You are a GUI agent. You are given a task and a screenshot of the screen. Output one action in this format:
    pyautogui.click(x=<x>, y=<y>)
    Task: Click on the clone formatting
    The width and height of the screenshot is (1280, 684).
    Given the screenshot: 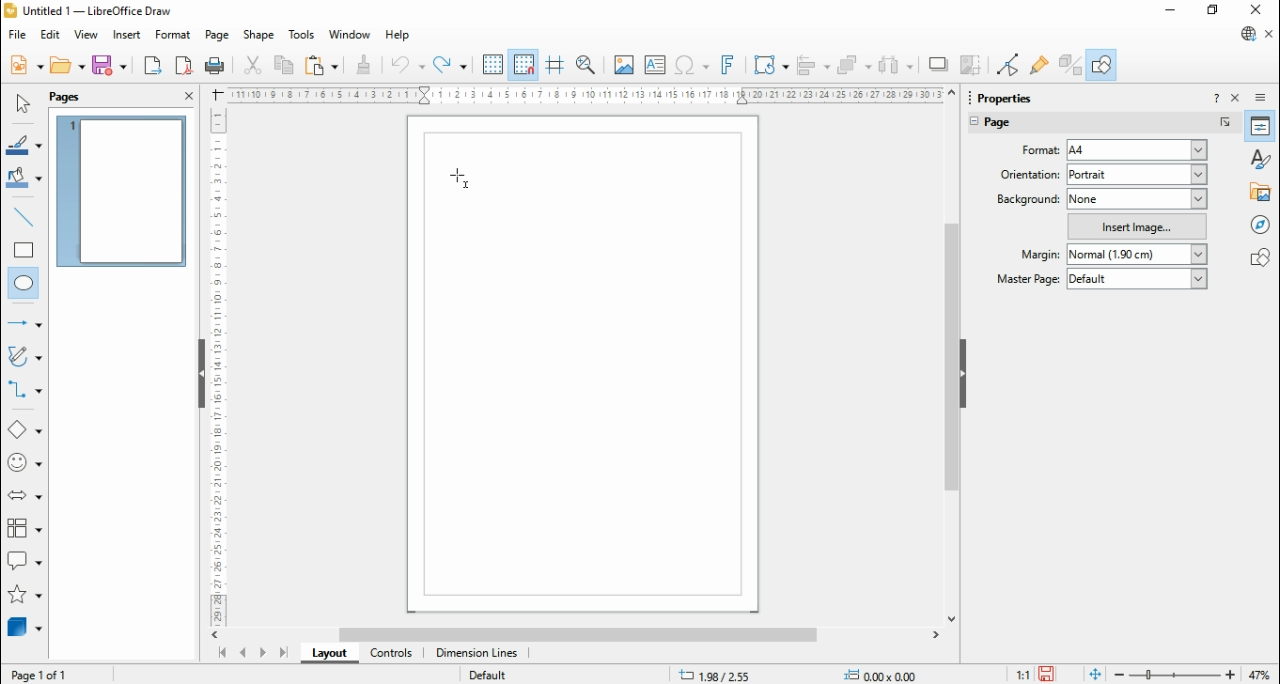 What is the action you would take?
    pyautogui.click(x=364, y=64)
    